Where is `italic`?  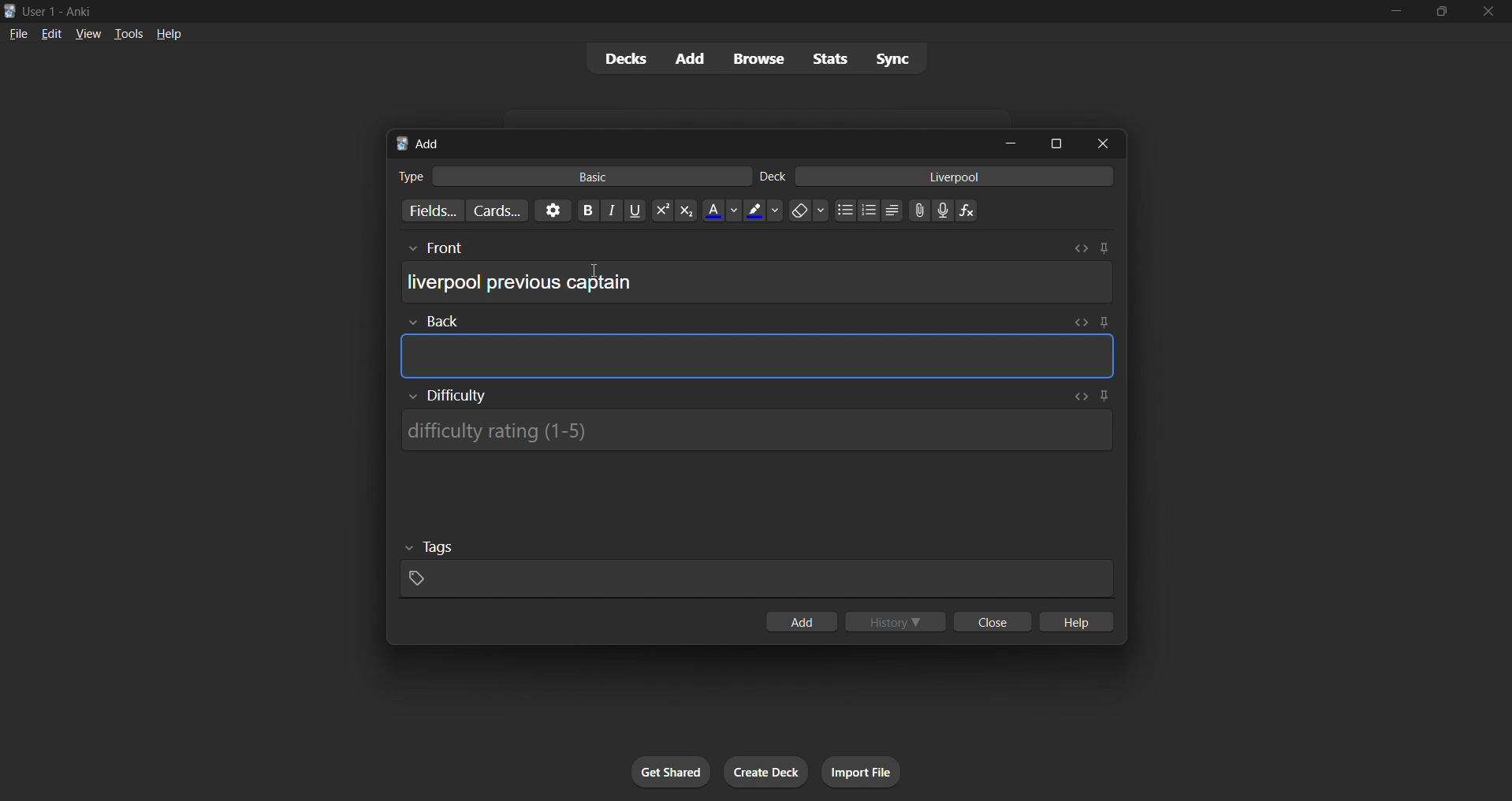
italic is located at coordinates (613, 212).